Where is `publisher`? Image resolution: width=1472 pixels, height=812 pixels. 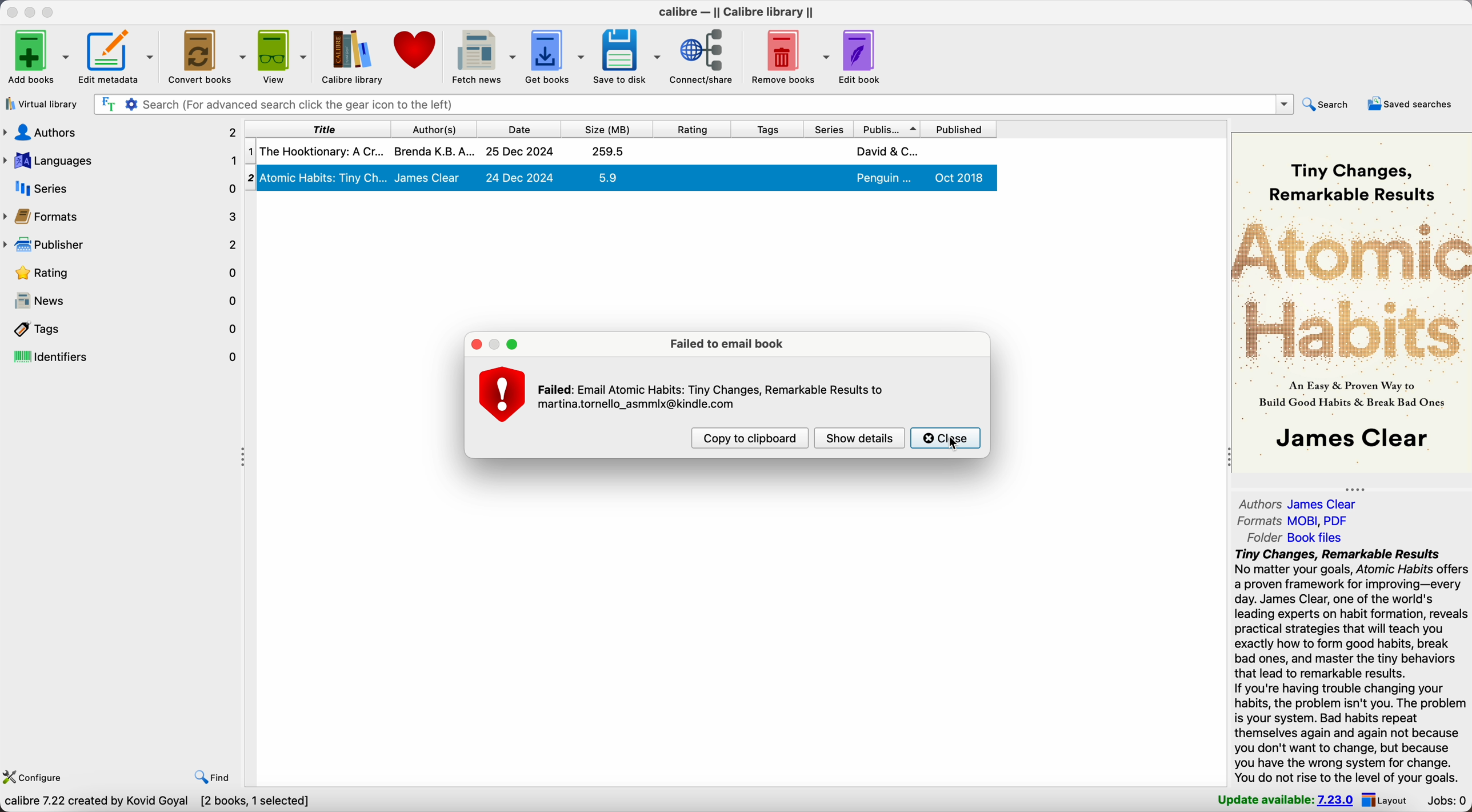 publisher is located at coordinates (890, 127).